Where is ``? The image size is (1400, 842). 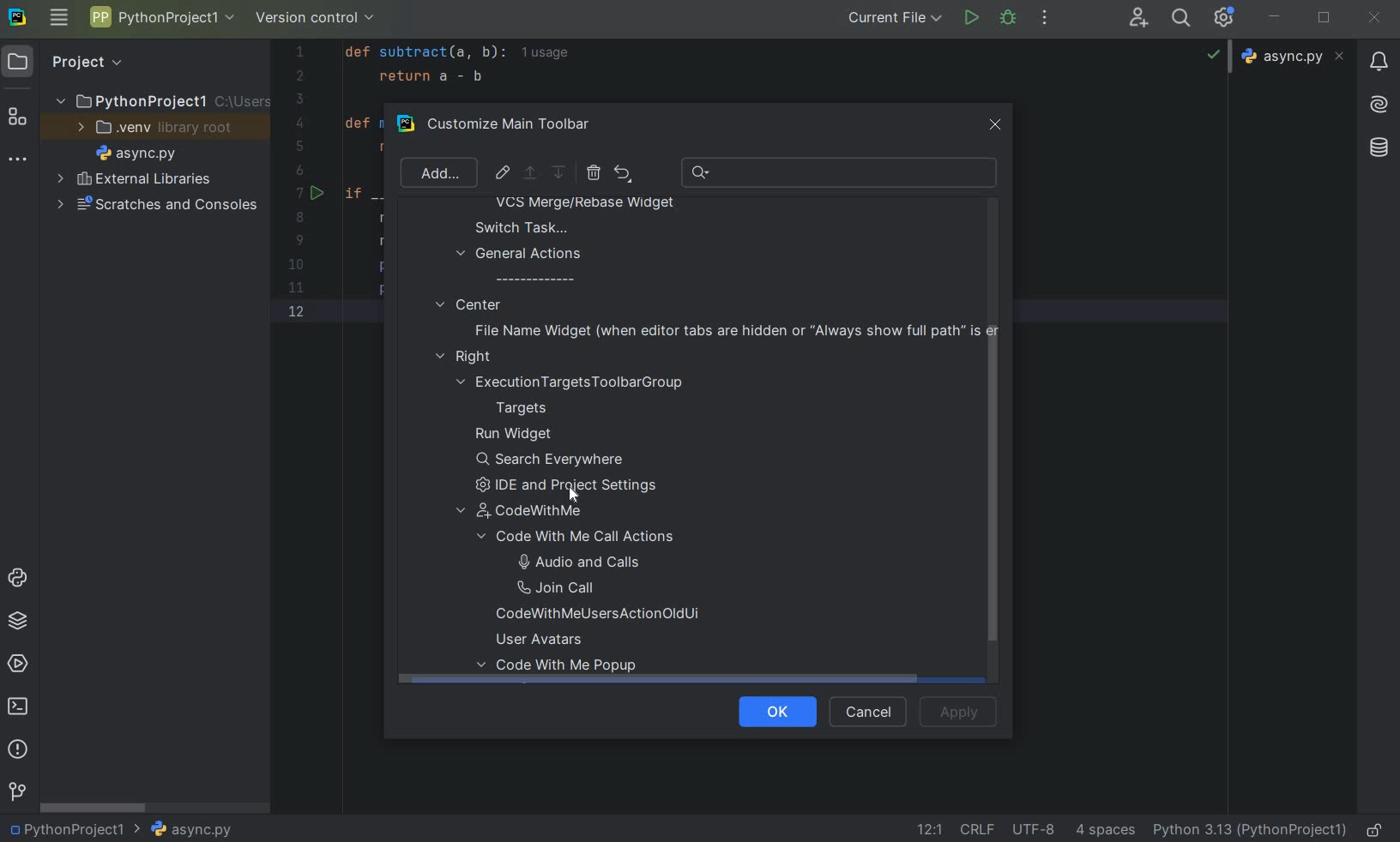
 is located at coordinates (1377, 148).